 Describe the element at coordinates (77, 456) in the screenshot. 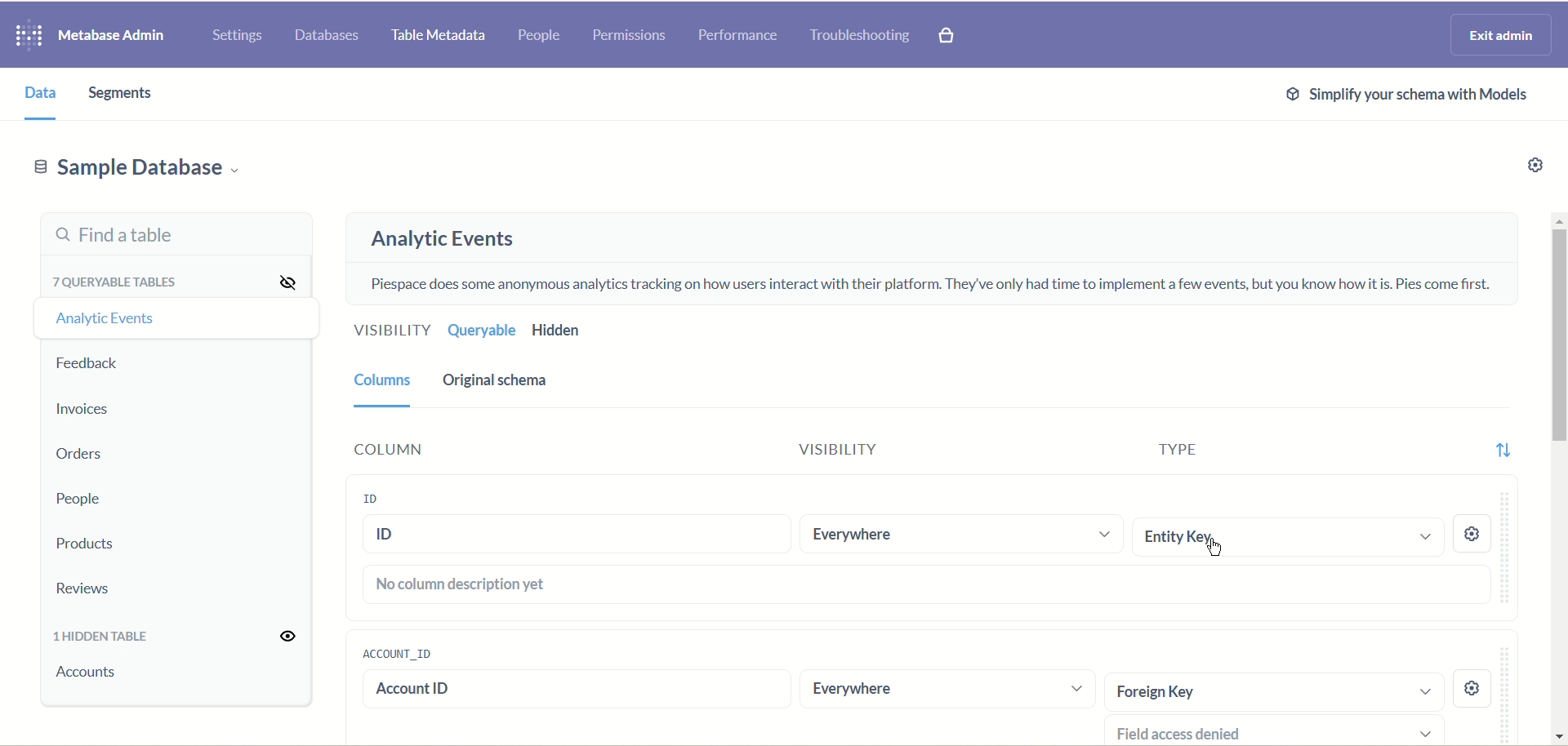

I see `orders` at that location.